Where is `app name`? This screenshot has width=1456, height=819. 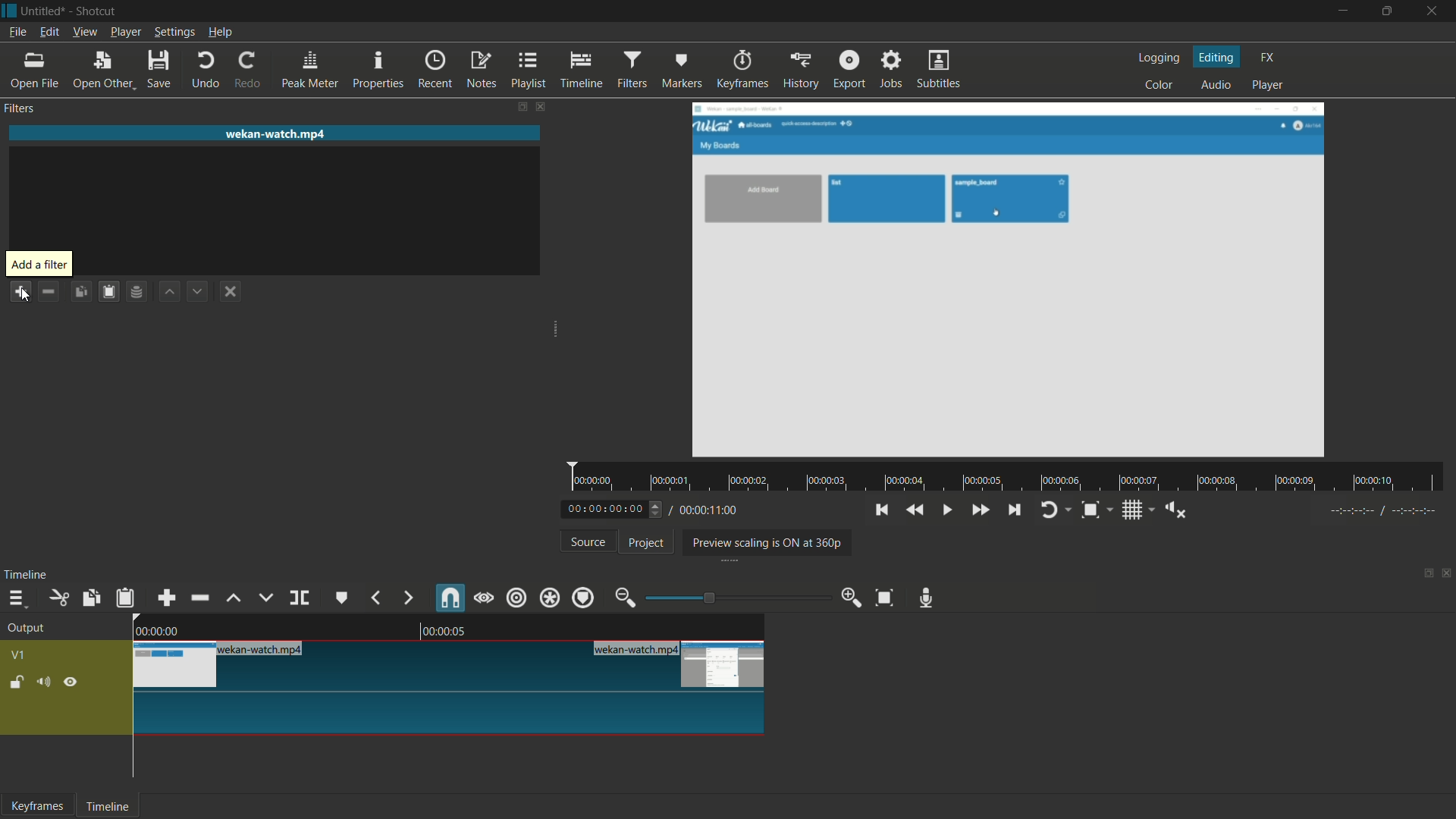
app name is located at coordinates (98, 12).